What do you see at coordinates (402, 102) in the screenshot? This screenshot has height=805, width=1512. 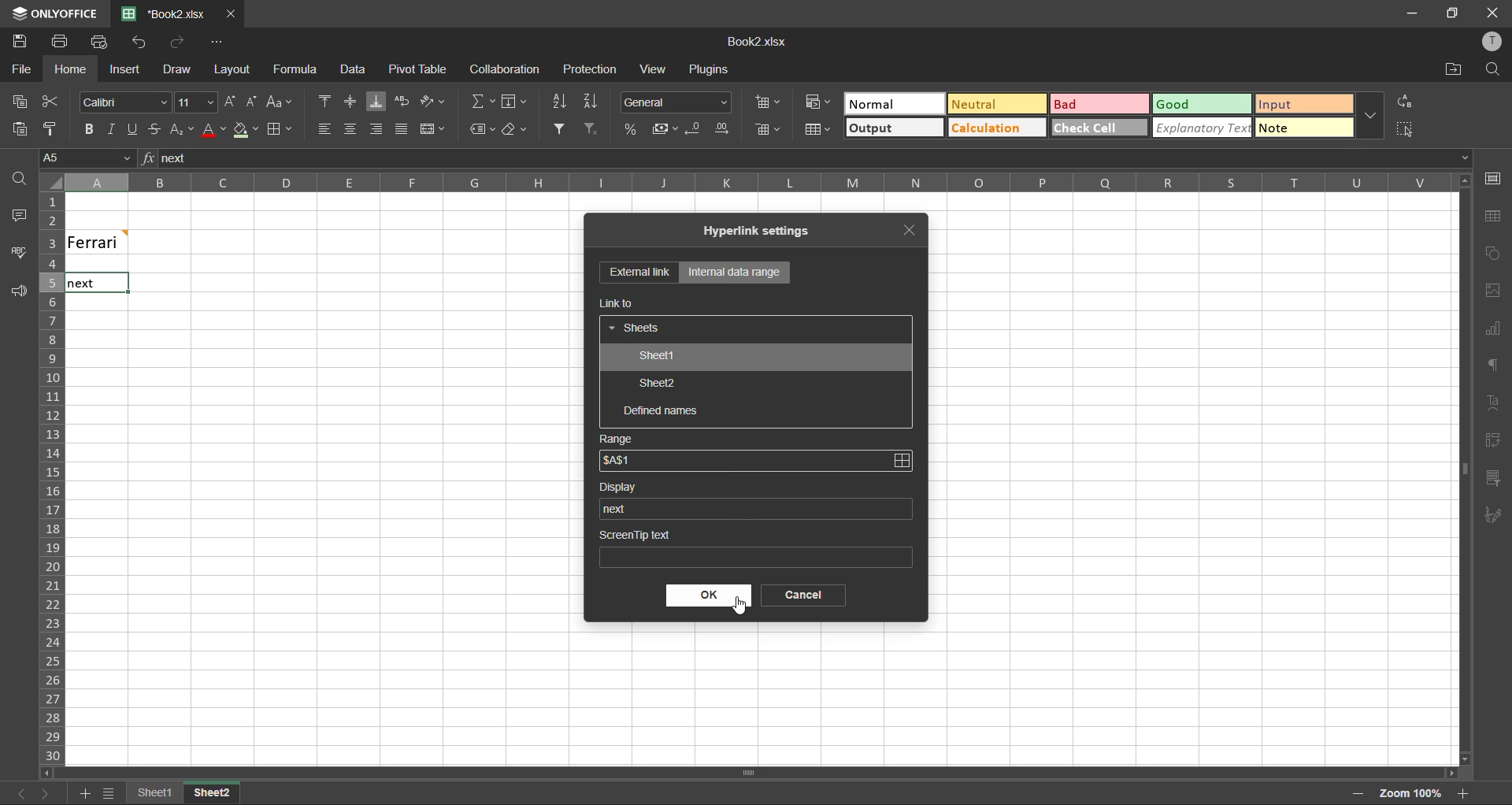 I see `wrap text` at bounding box center [402, 102].